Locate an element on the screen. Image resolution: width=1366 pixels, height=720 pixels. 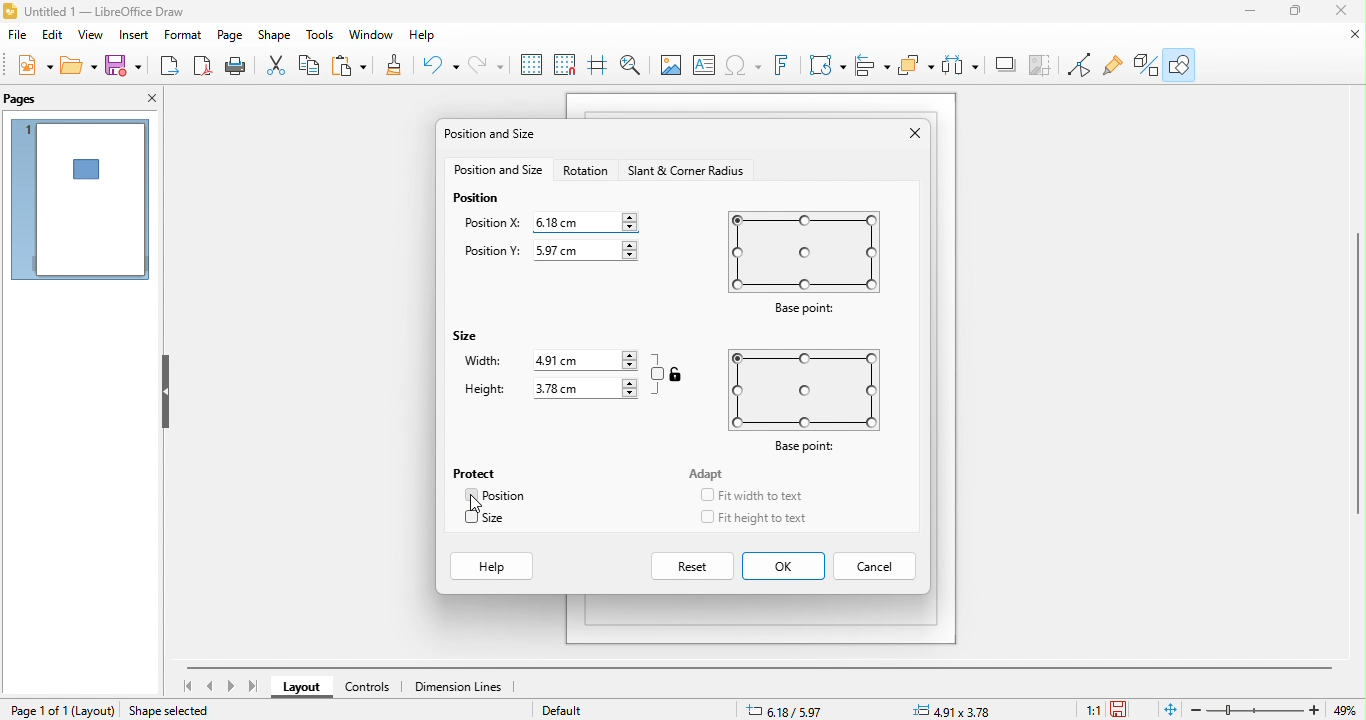
zoom is located at coordinates (1257, 710).